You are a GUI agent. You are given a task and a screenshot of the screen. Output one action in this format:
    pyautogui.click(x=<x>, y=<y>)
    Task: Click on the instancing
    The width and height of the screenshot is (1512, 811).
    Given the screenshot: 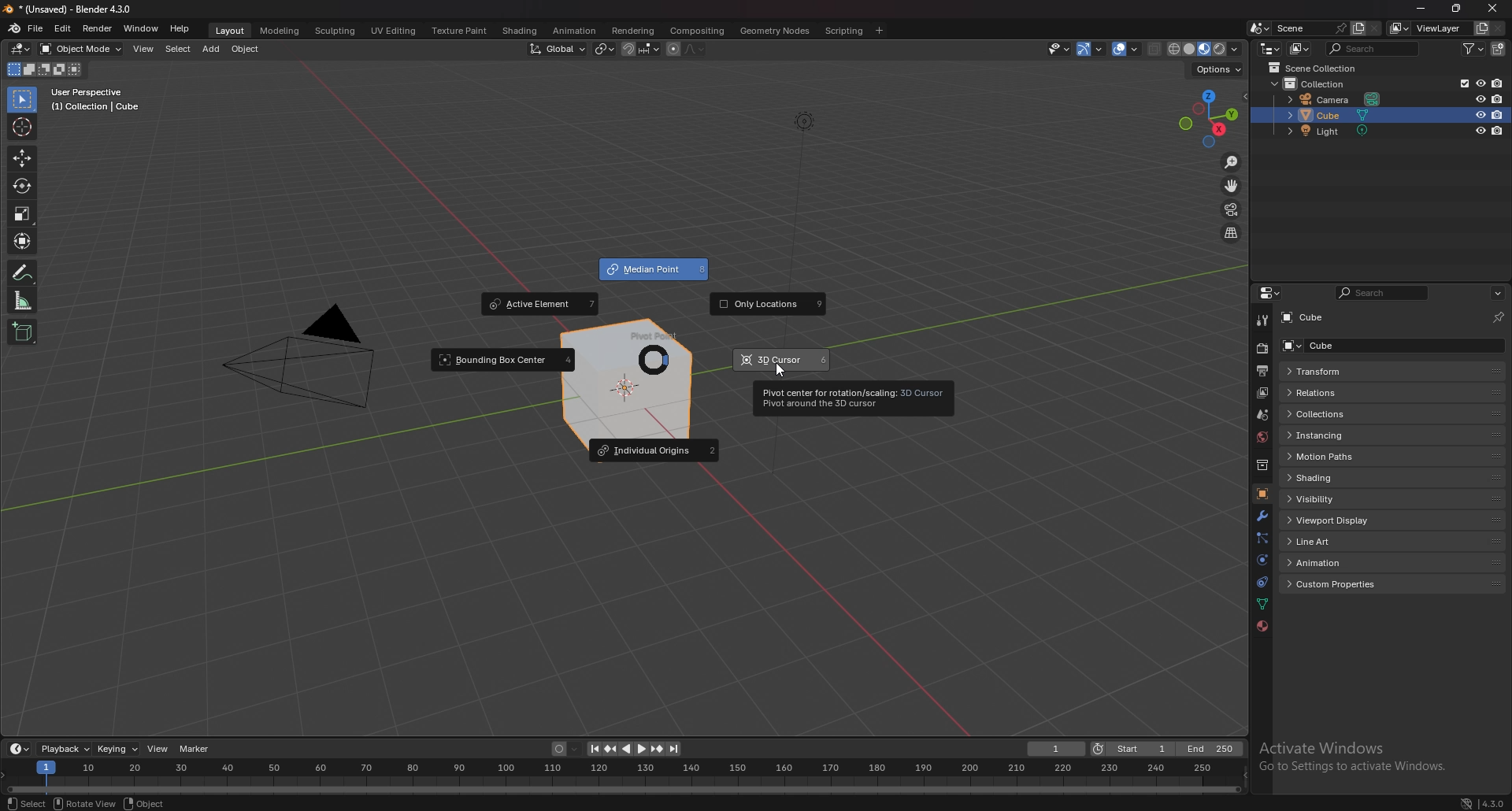 What is the action you would take?
    pyautogui.click(x=1339, y=436)
    